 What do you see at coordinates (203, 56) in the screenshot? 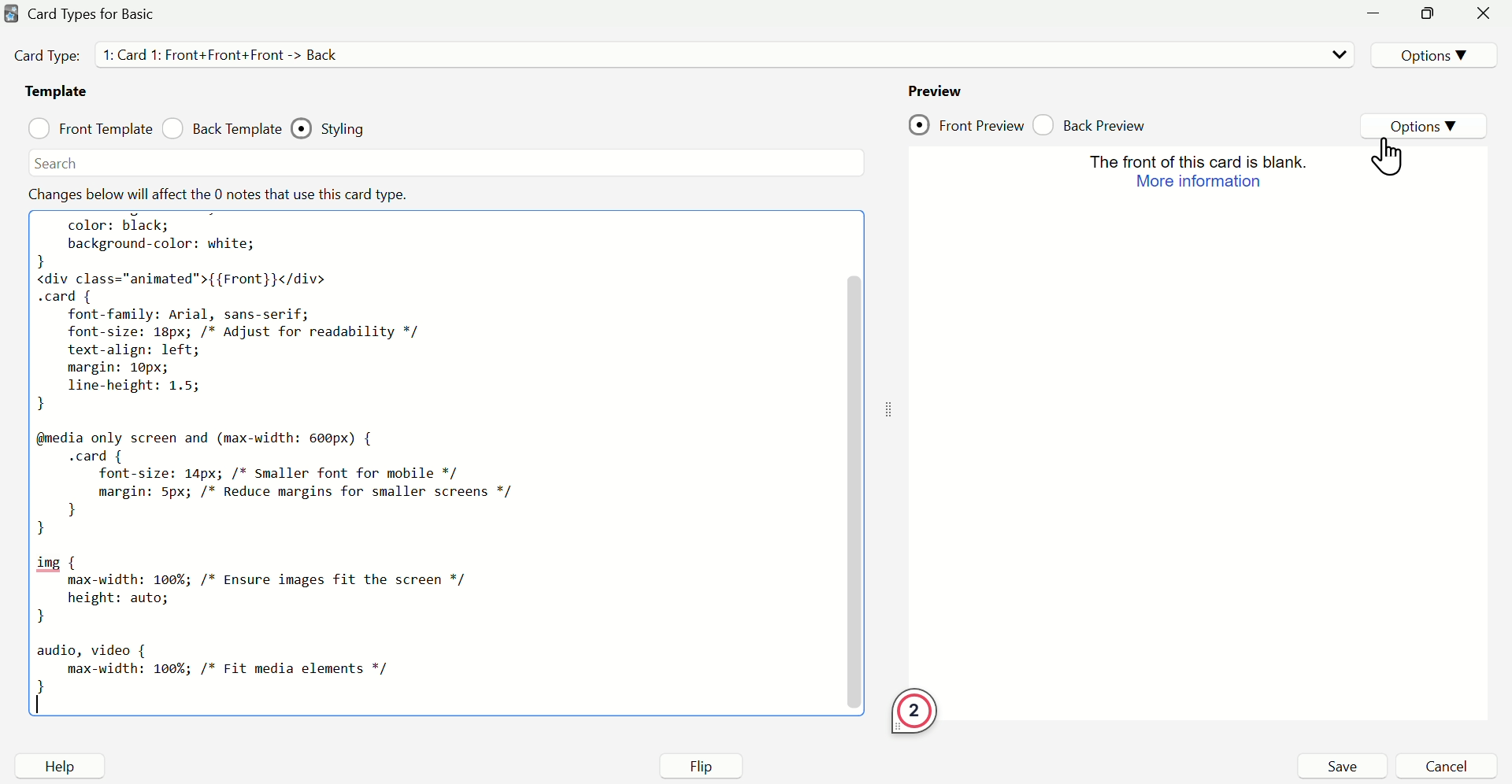
I see `Card Type` at bounding box center [203, 56].